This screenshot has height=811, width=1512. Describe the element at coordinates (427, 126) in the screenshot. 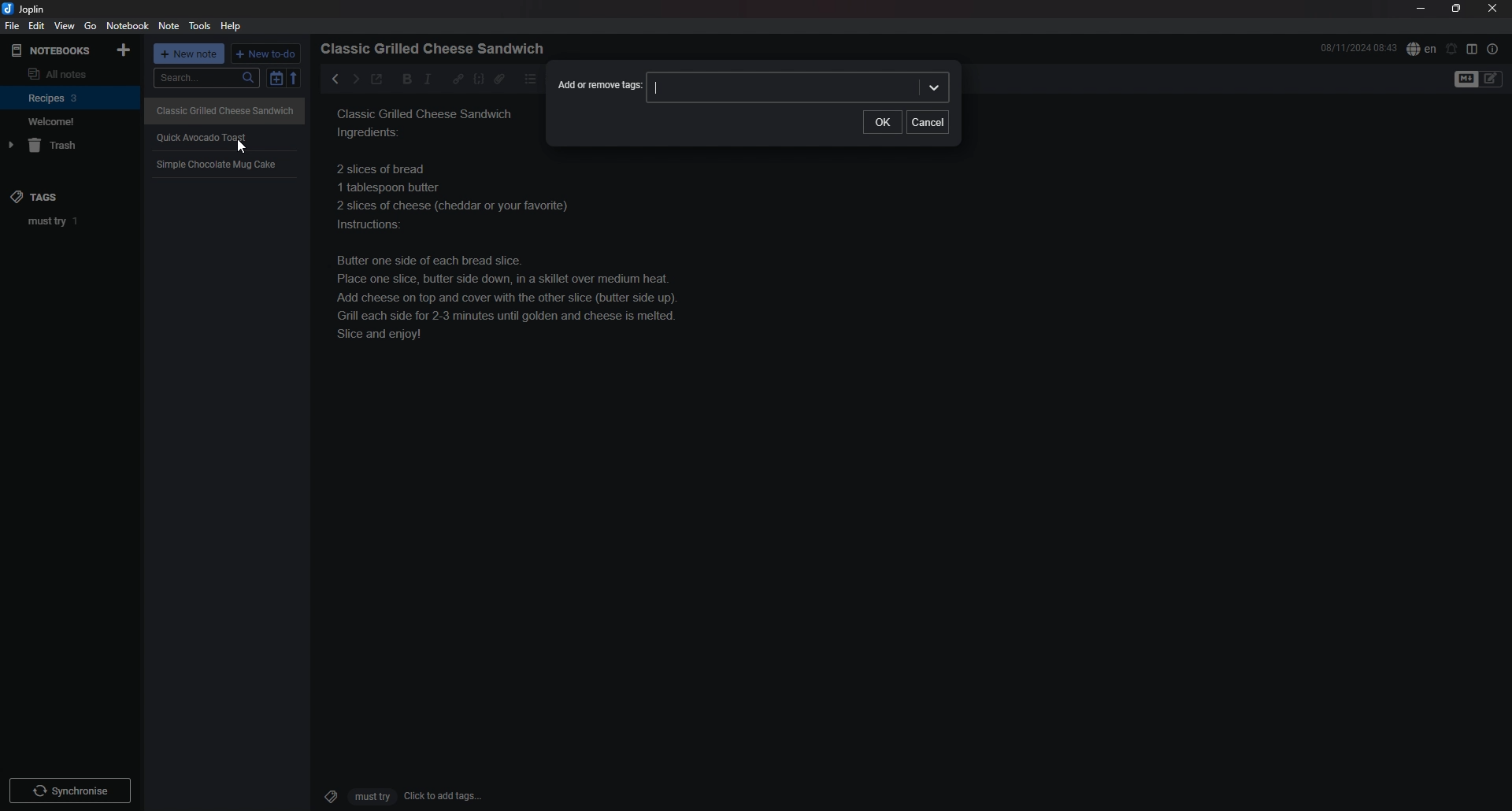

I see `recipe` at that location.